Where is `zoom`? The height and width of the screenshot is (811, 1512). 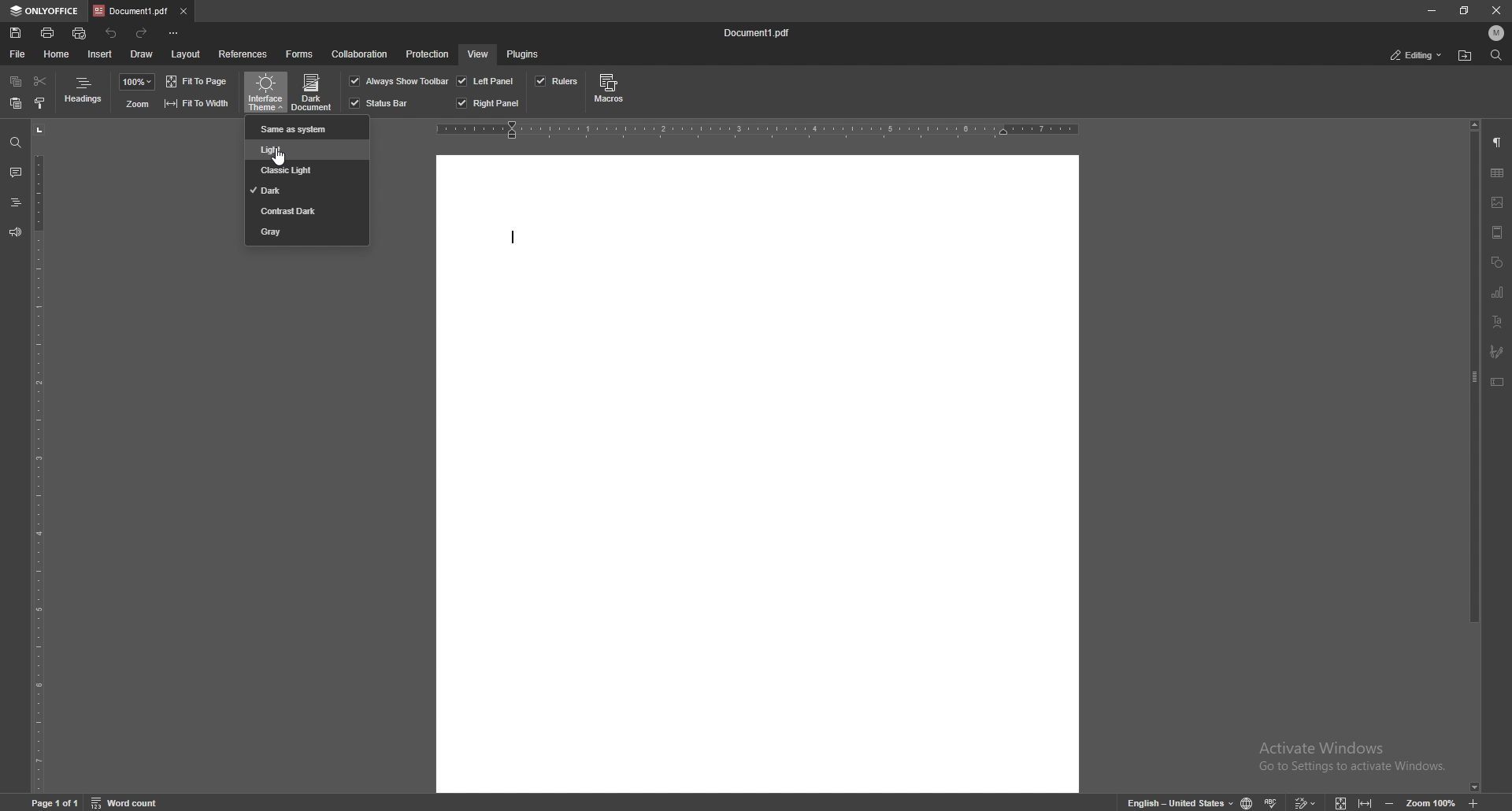
zoom is located at coordinates (137, 105).